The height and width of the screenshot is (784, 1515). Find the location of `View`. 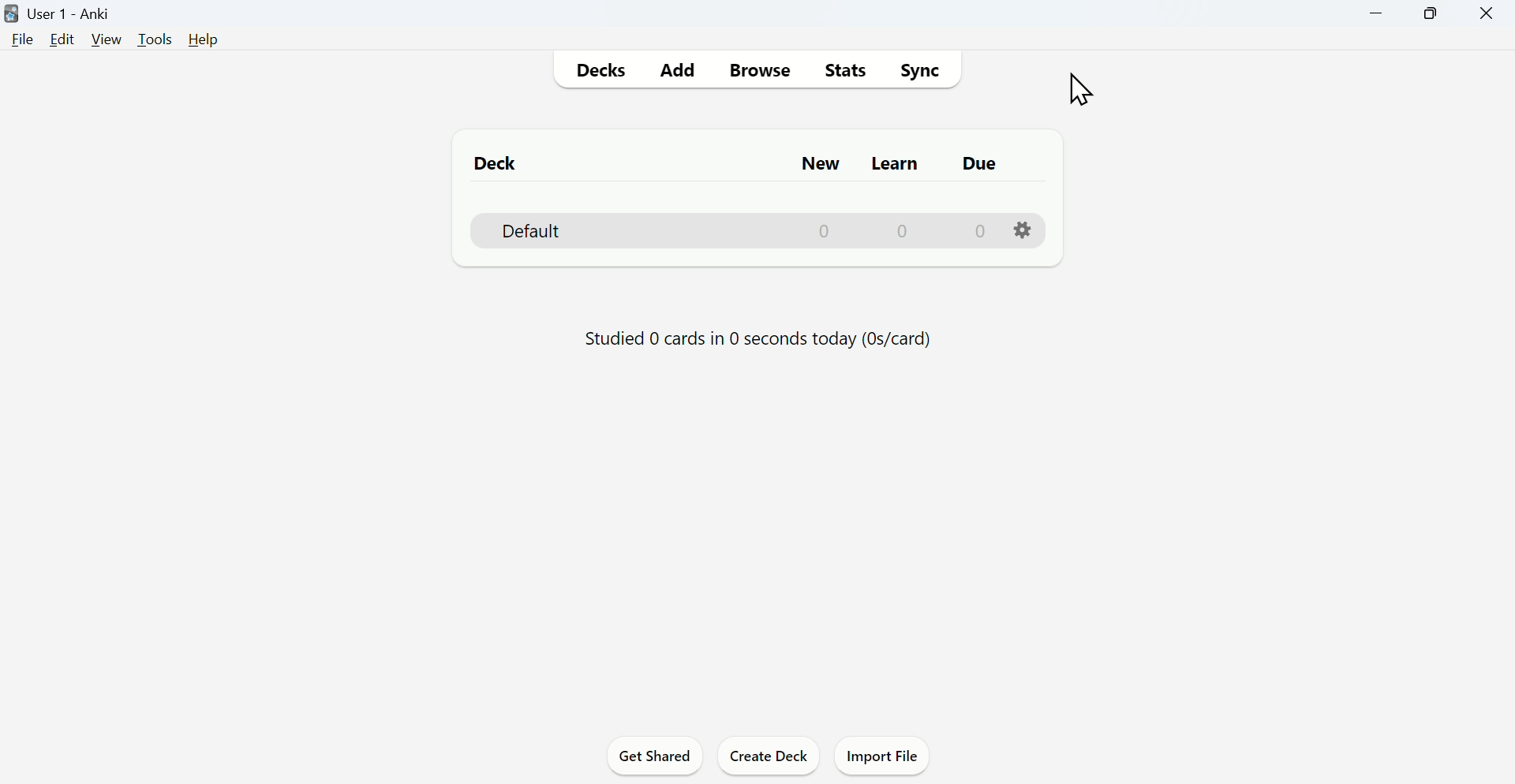

View is located at coordinates (107, 39).